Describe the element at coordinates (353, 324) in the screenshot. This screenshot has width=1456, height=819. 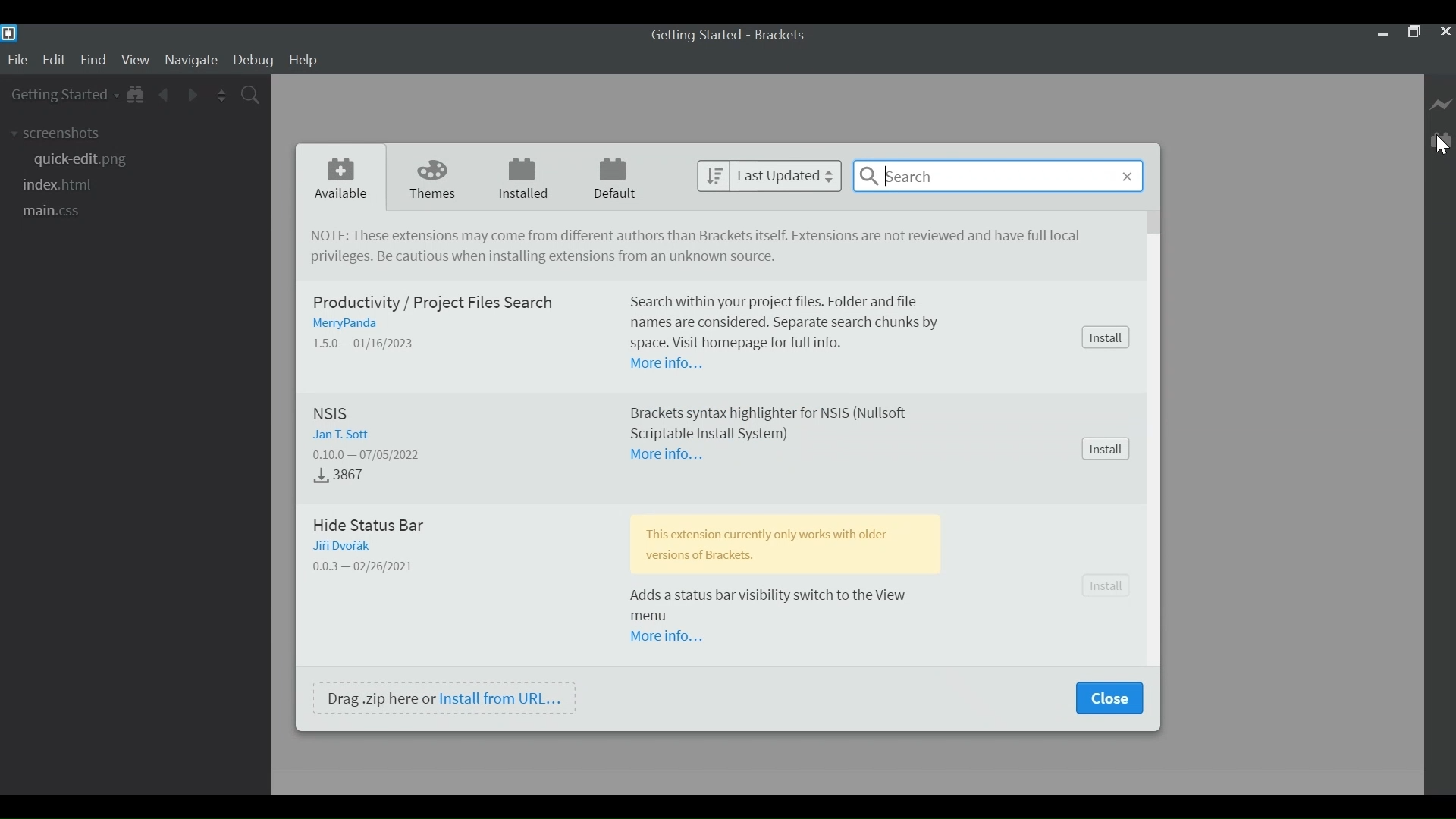
I see `MerryPanda` at that location.